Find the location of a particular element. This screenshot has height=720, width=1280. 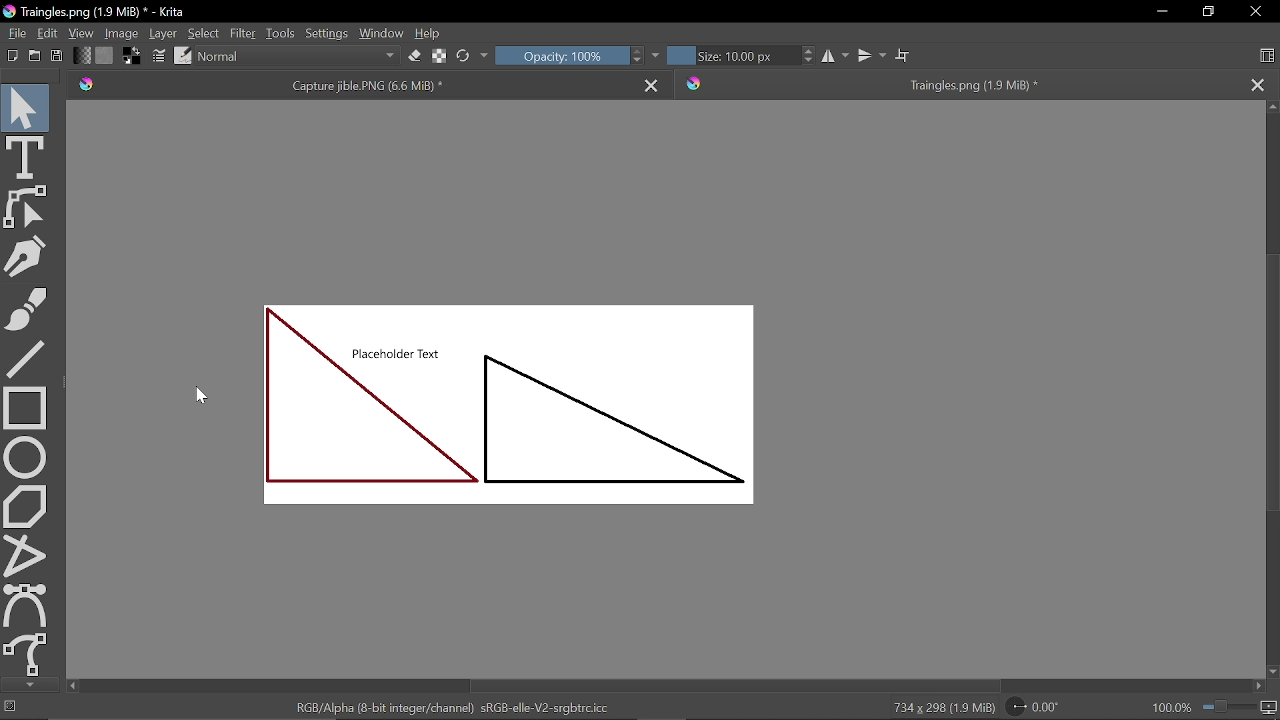

text tool is located at coordinates (26, 157).